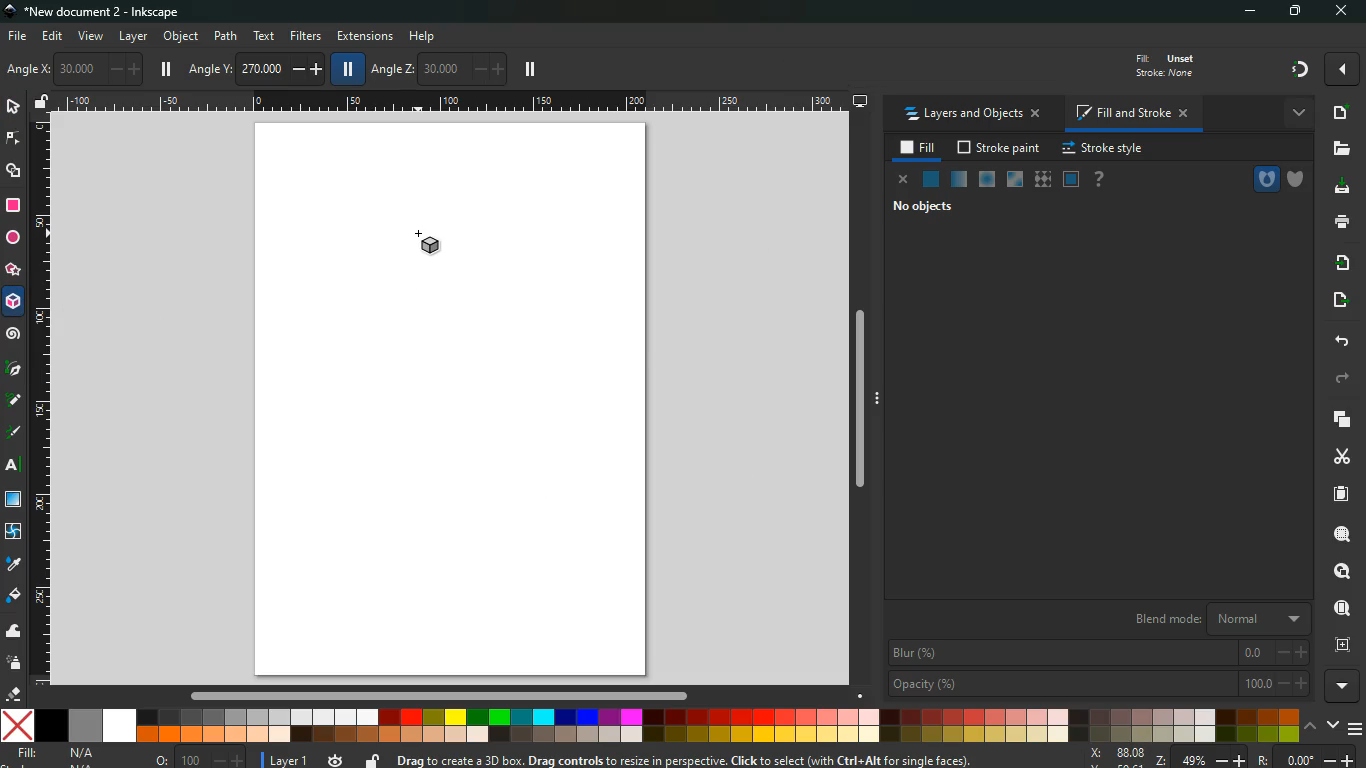 The height and width of the screenshot is (768, 1366). What do you see at coordinates (866, 401) in the screenshot?
I see `Scroll bar` at bounding box center [866, 401].